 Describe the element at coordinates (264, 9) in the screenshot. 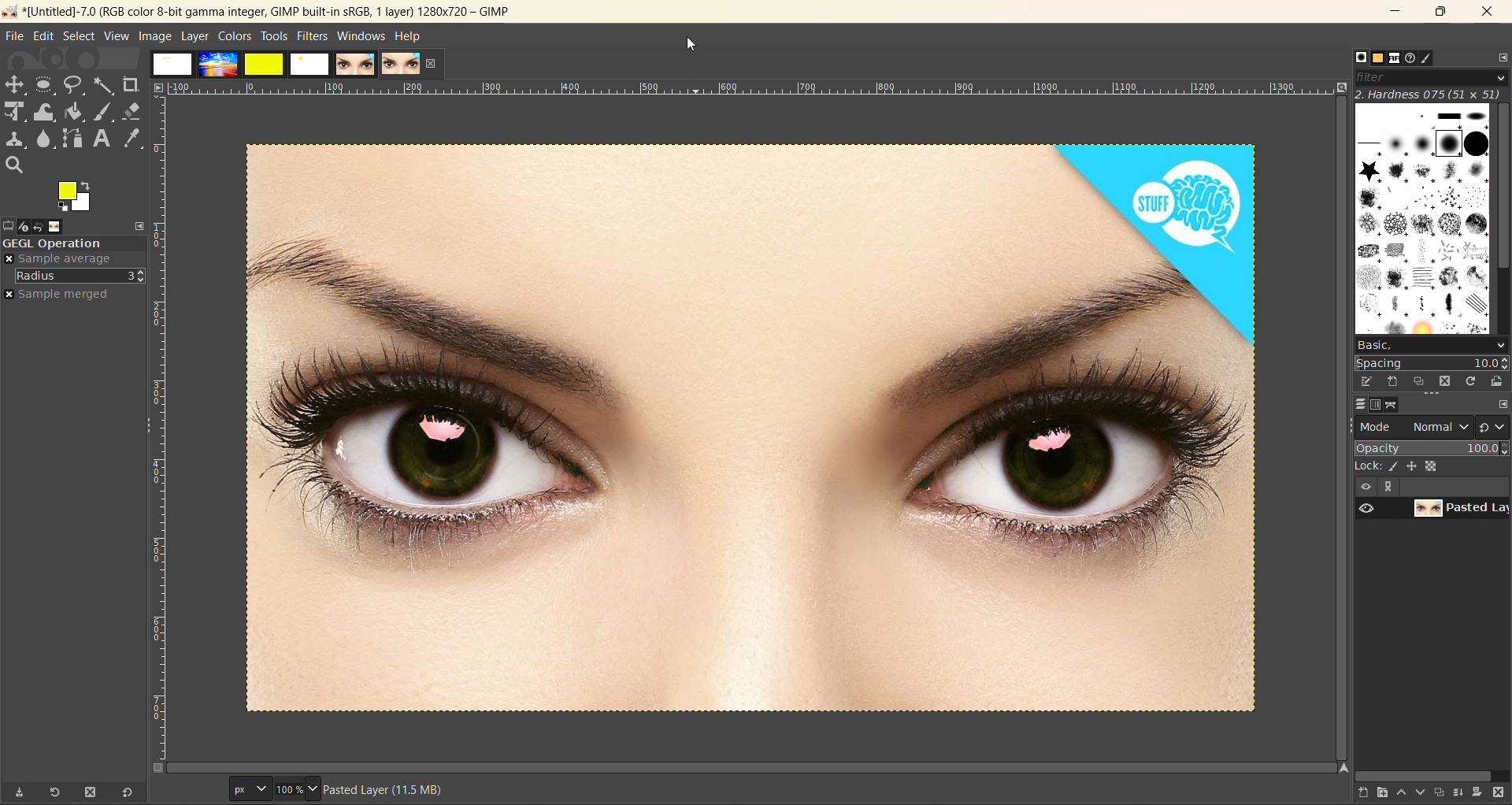

I see `app name and file name` at that location.